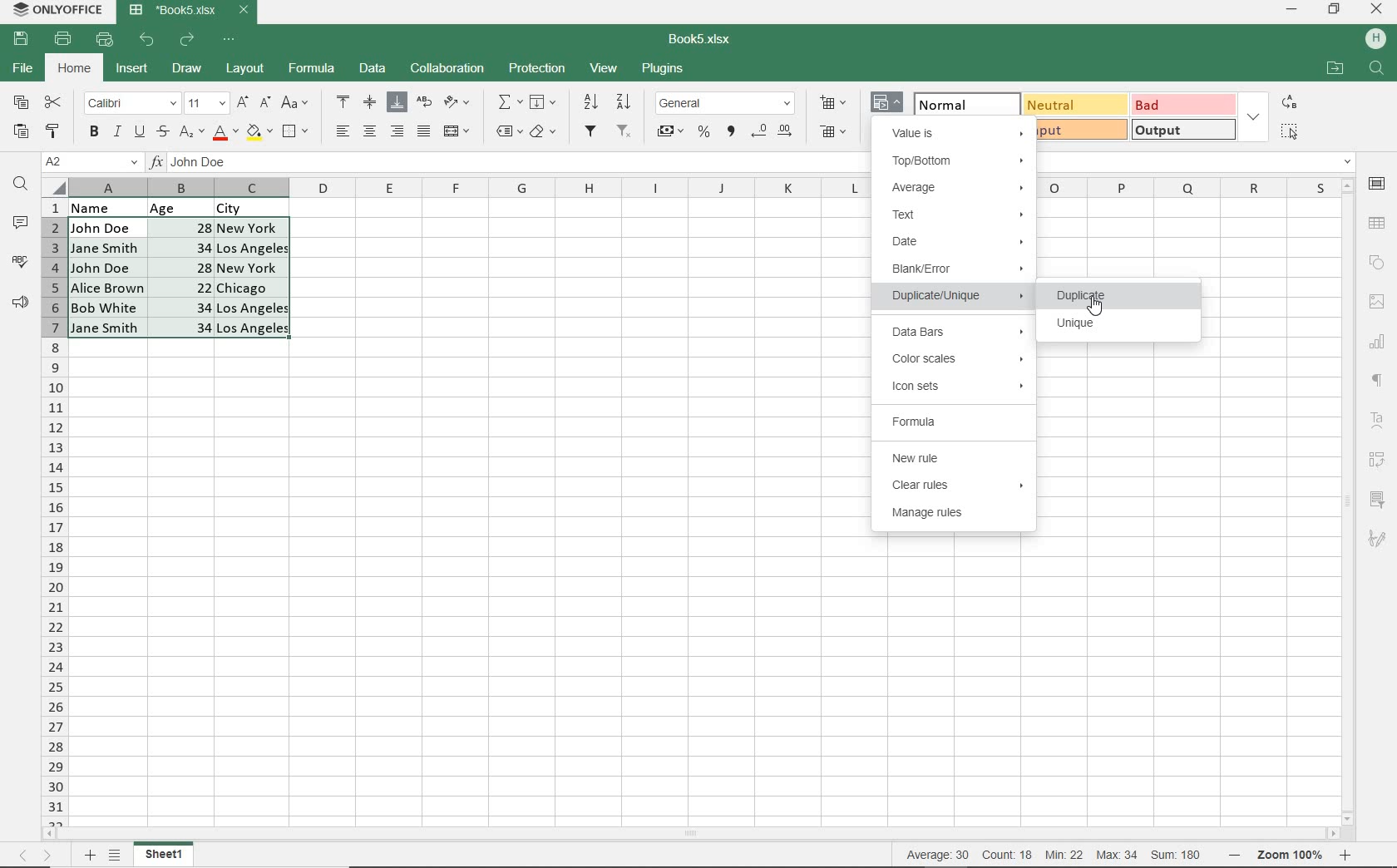 The height and width of the screenshot is (868, 1397). What do you see at coordinates (1379, 460) in the screenshot?
I see `PIVOT TABLE` at bounding box center [1379, 460].